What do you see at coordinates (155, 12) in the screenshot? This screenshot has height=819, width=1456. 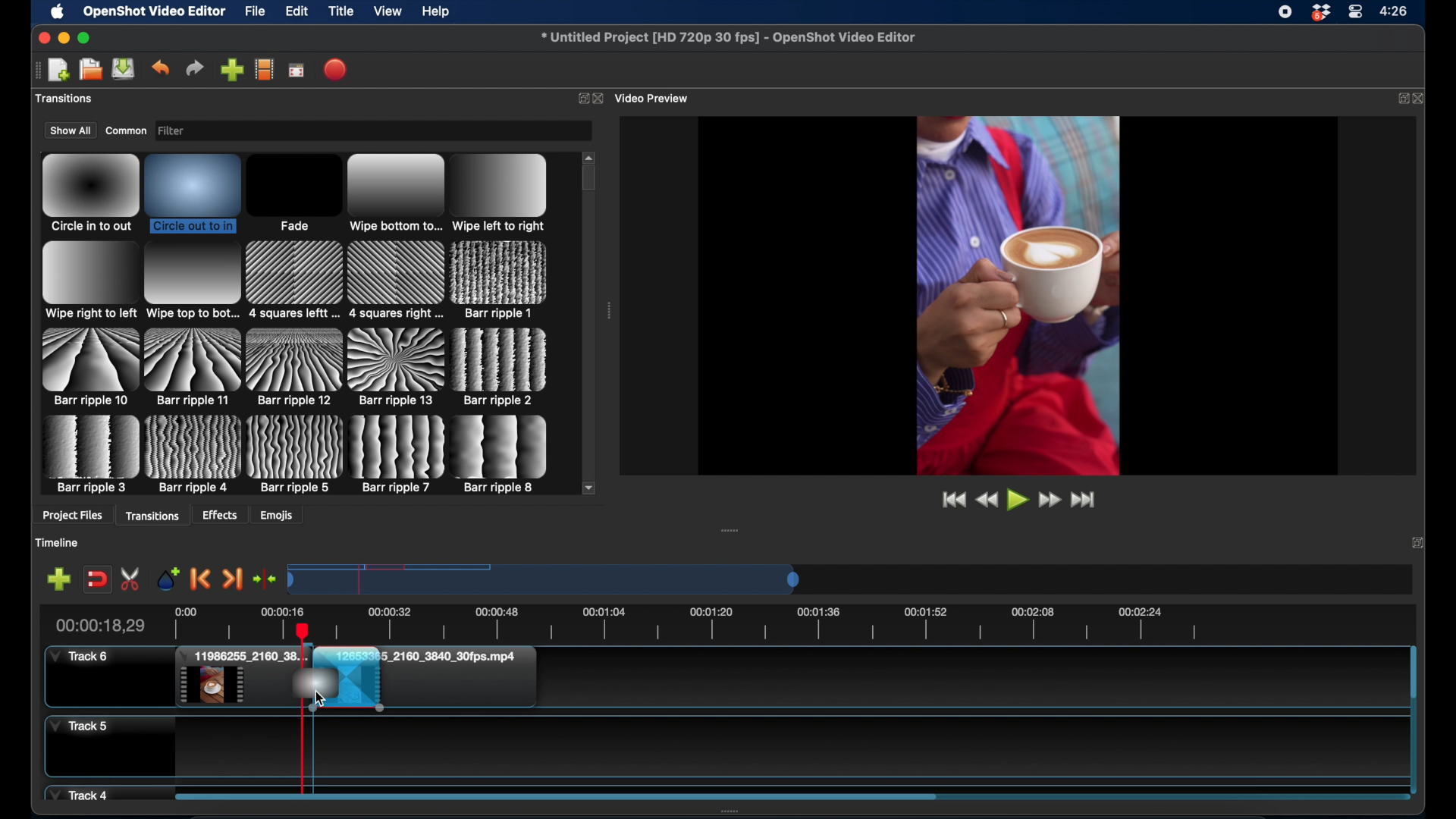 I see `openshot video editor` at bounding box center [155, 12].